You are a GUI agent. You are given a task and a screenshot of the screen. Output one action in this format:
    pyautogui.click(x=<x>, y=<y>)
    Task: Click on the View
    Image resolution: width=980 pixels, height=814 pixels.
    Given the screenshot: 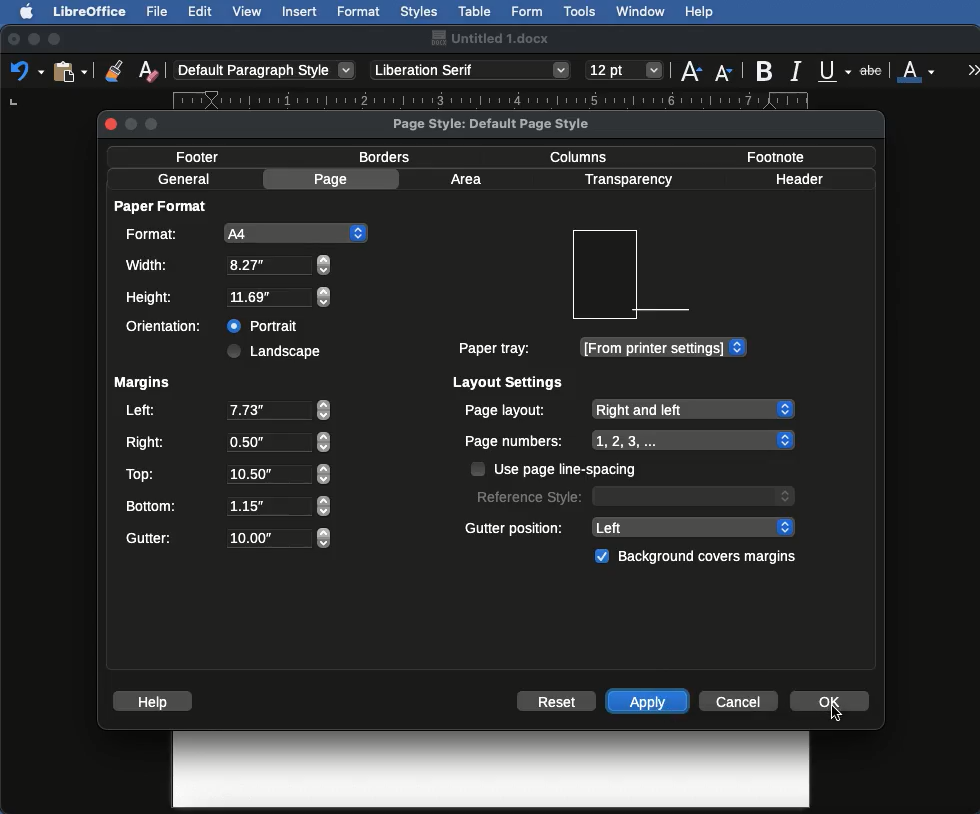 What is the action you would take?
    pyautogui.click(x=248, y=11)
    